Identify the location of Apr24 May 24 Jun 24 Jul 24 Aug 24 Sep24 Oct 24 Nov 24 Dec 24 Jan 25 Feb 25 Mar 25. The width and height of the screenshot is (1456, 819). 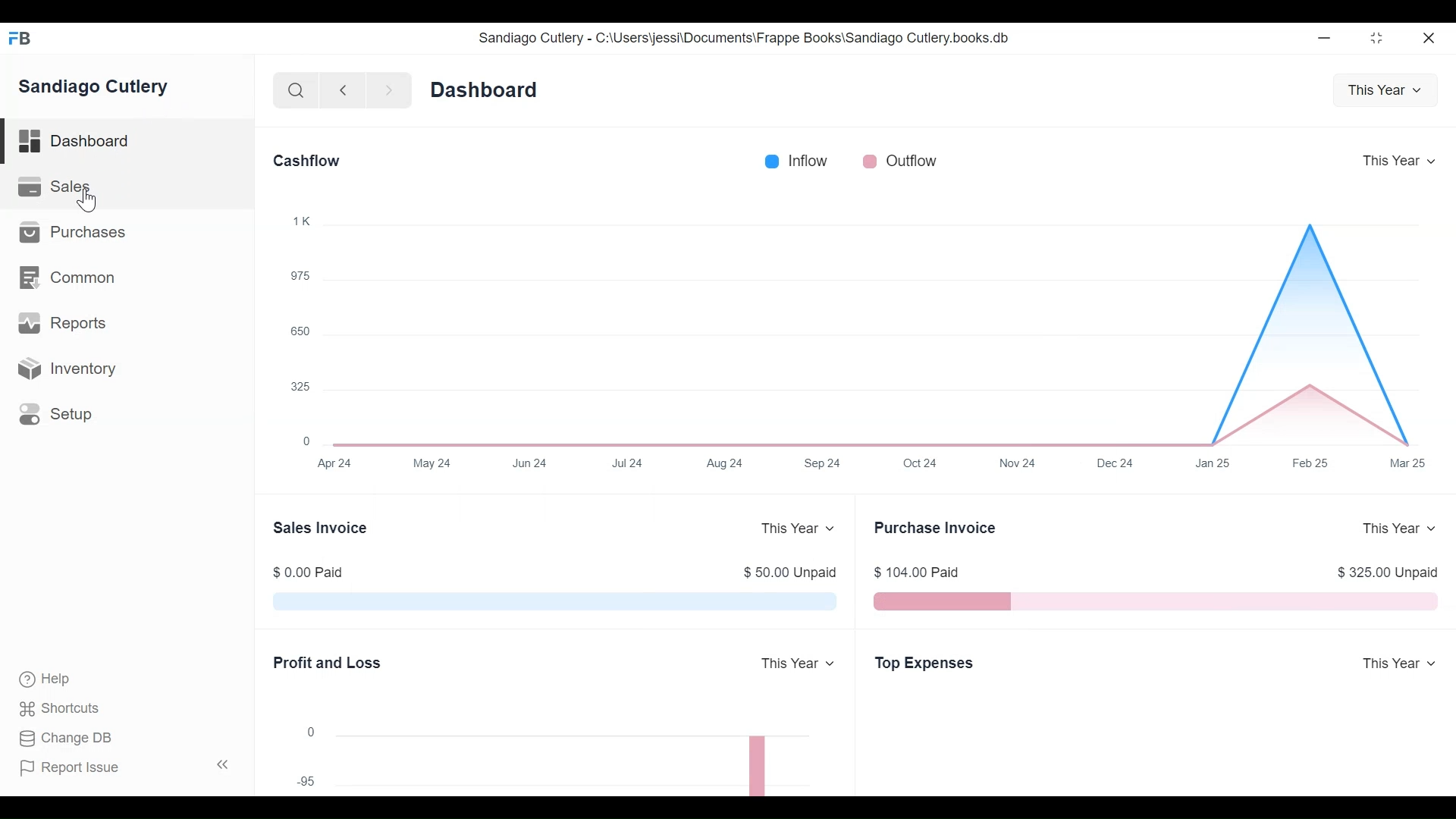
(874, 465).